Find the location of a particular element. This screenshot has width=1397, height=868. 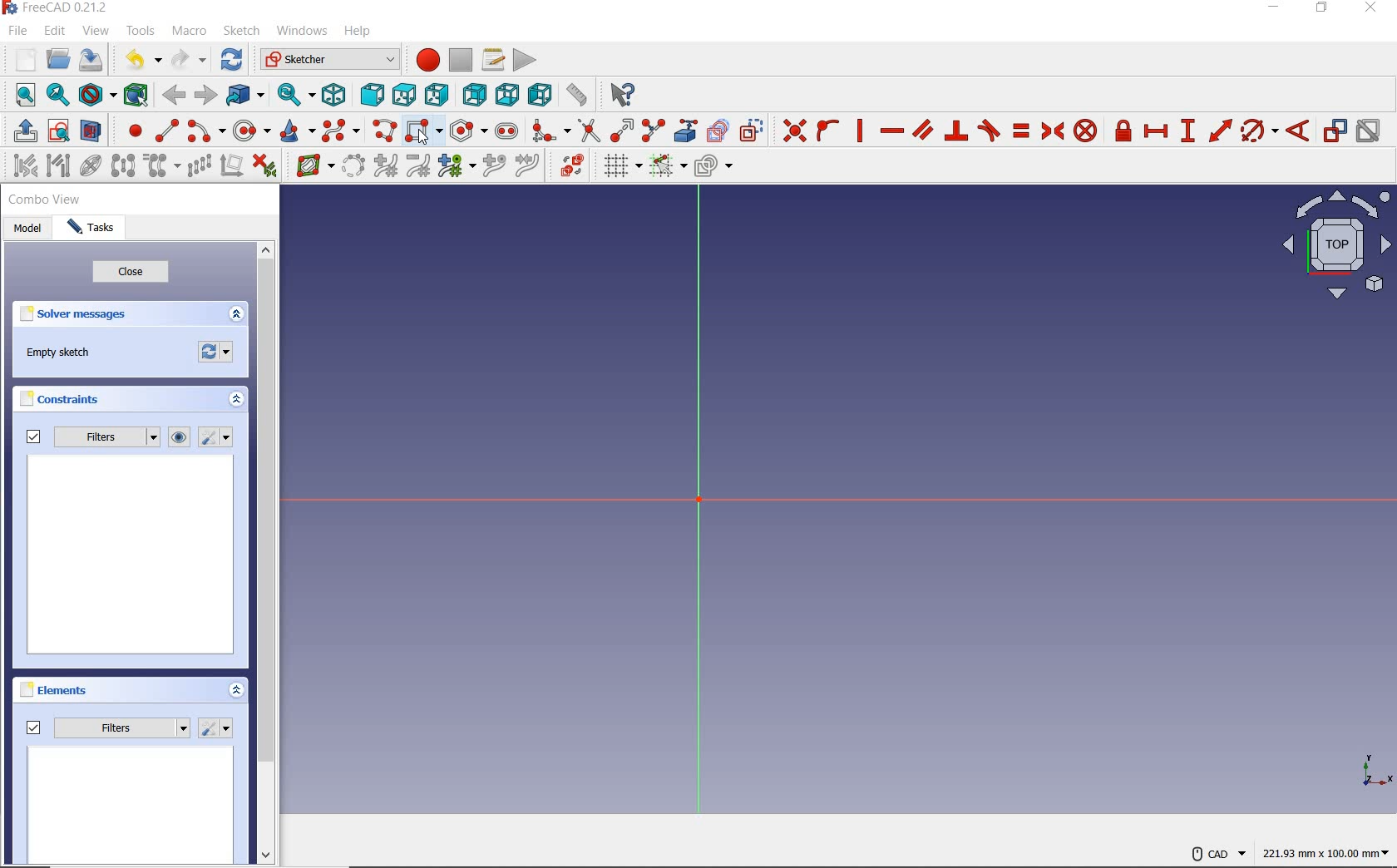

fit selection is located at coordinates (57, 96).